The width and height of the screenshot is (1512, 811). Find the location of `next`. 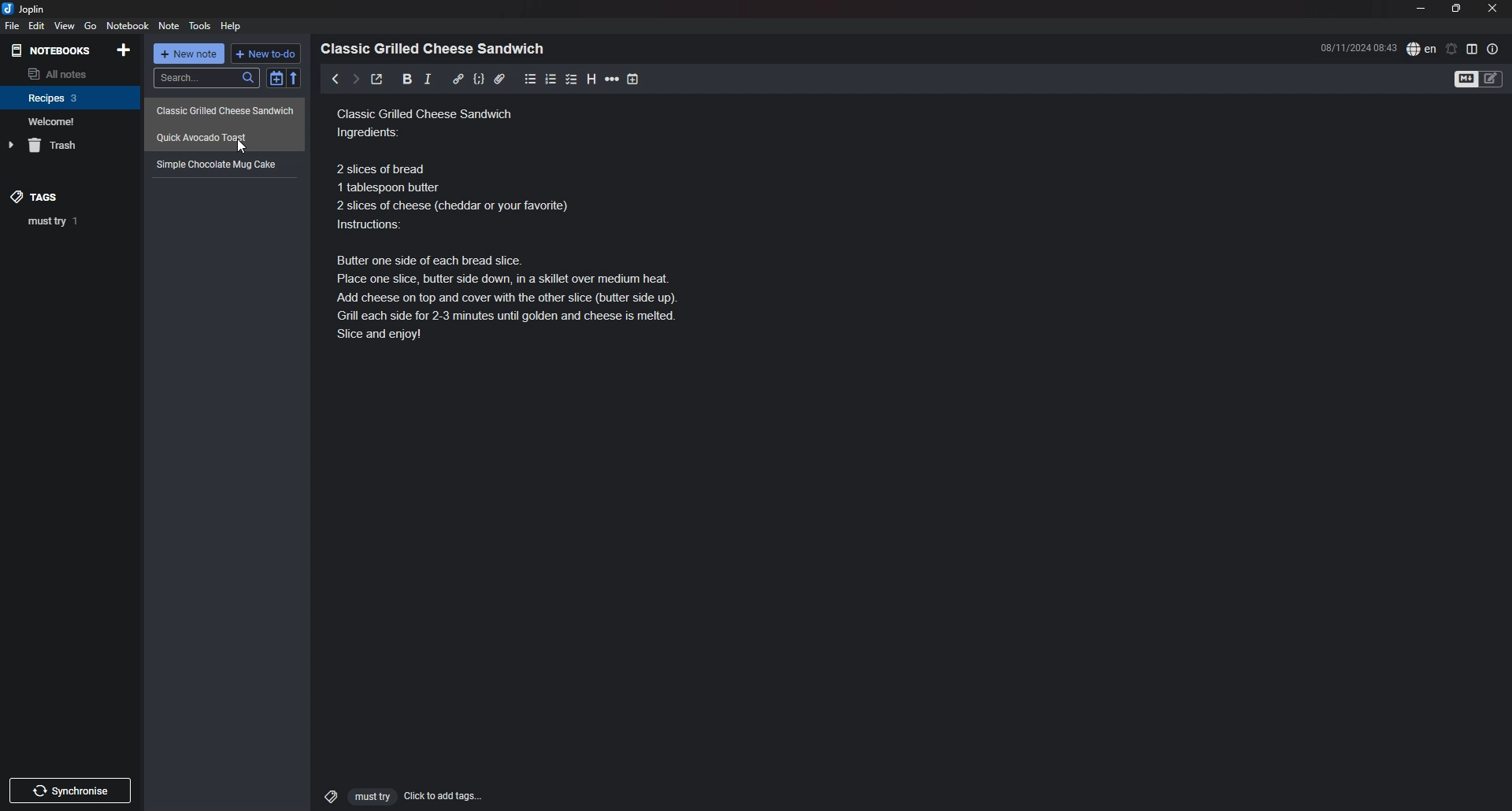

next is located at coordinates (354, 79).